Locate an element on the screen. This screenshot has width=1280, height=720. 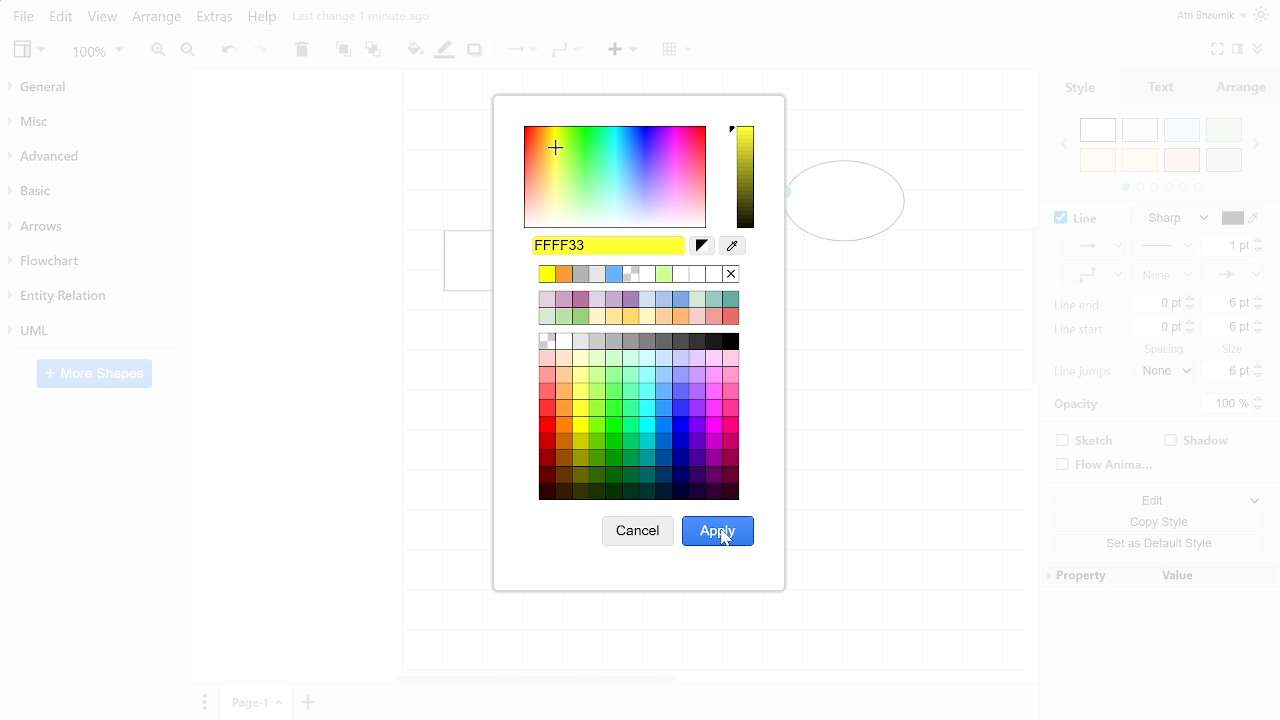
Cursor is located at coordinates (727, 545).